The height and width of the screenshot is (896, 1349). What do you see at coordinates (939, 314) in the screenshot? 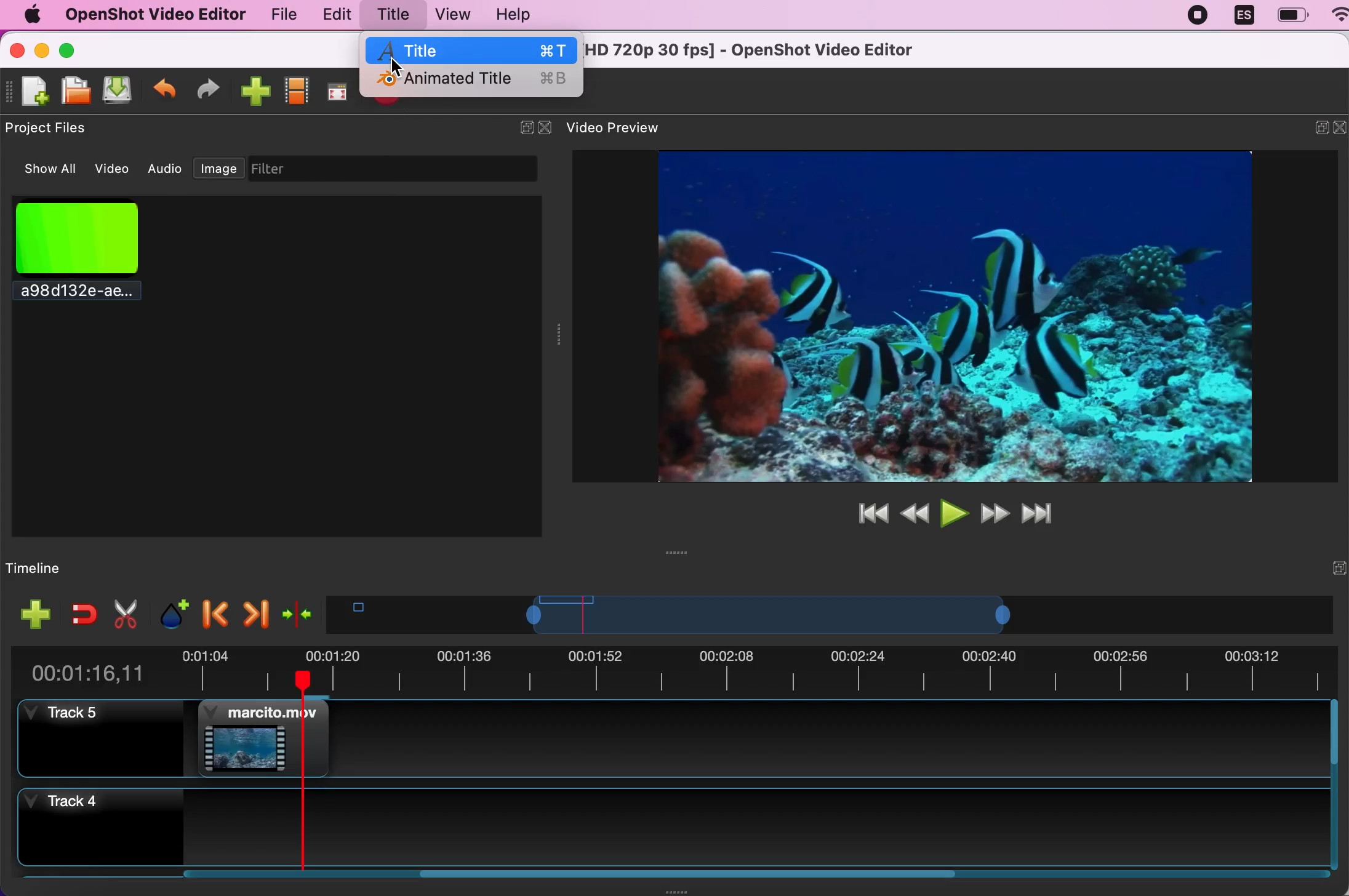
I see `video preview` at bounding box center [939, 314].